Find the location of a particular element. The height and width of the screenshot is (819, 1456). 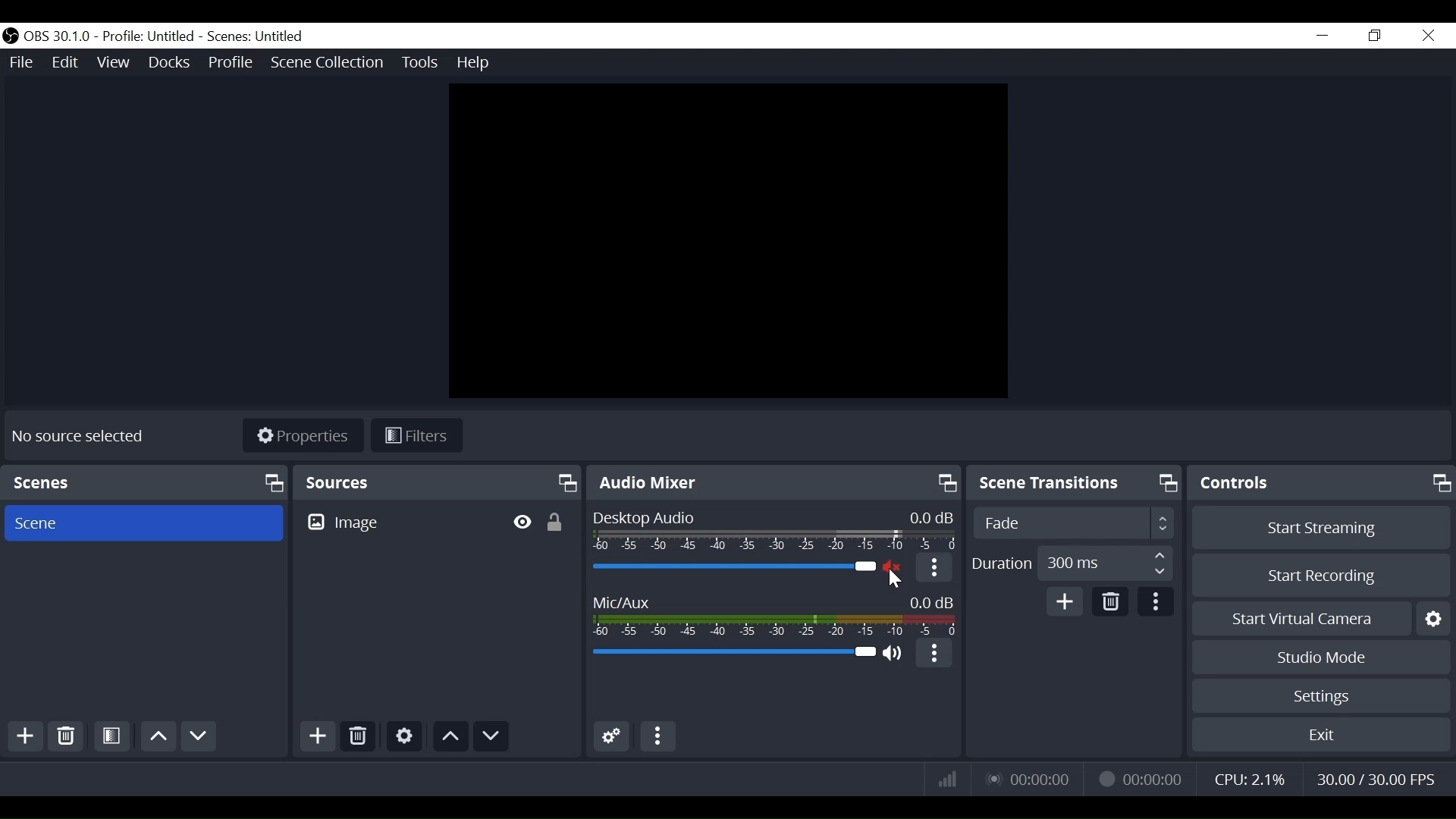

Image Source is located at coordinates (400, 522).